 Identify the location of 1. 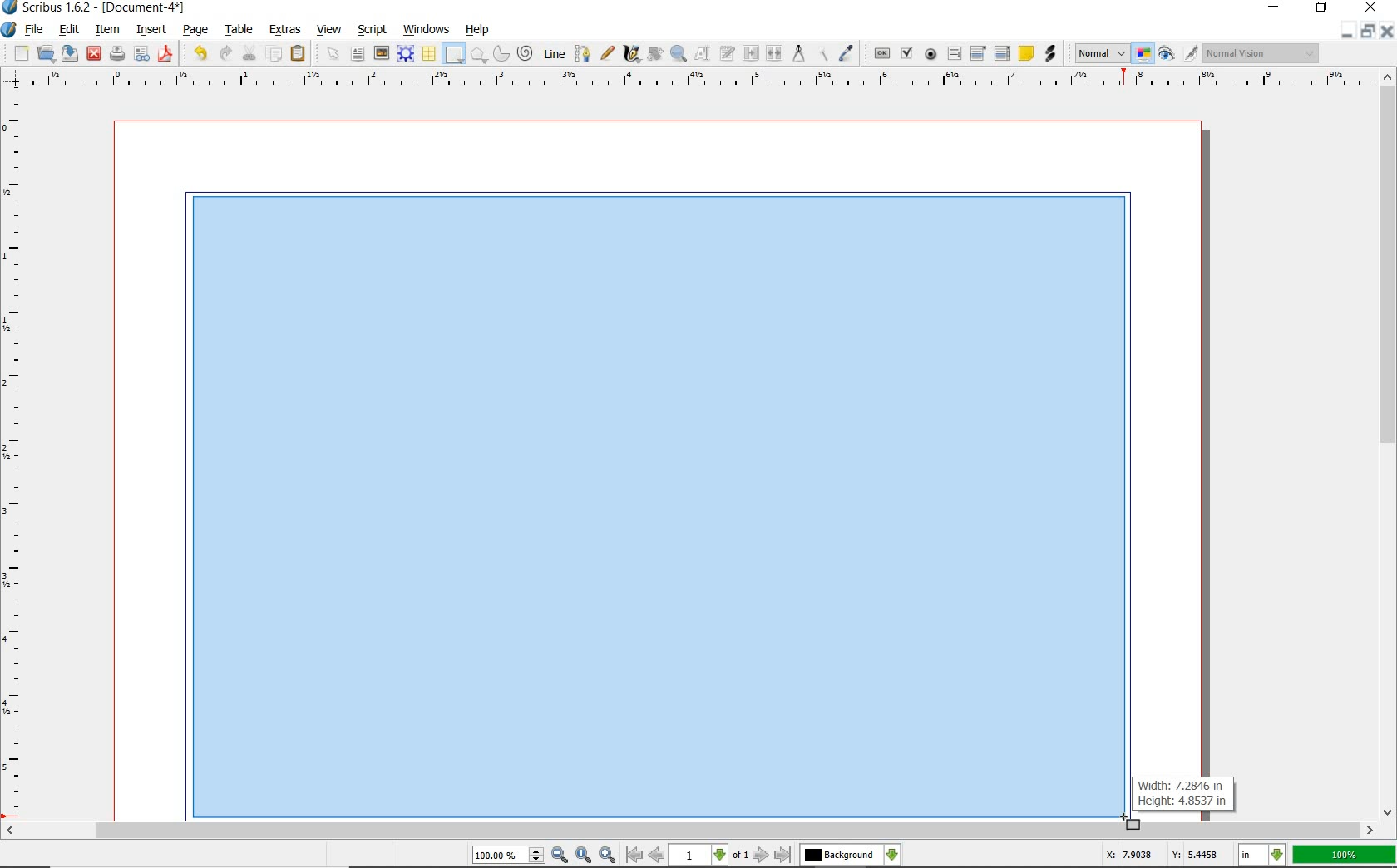
(699, 856).